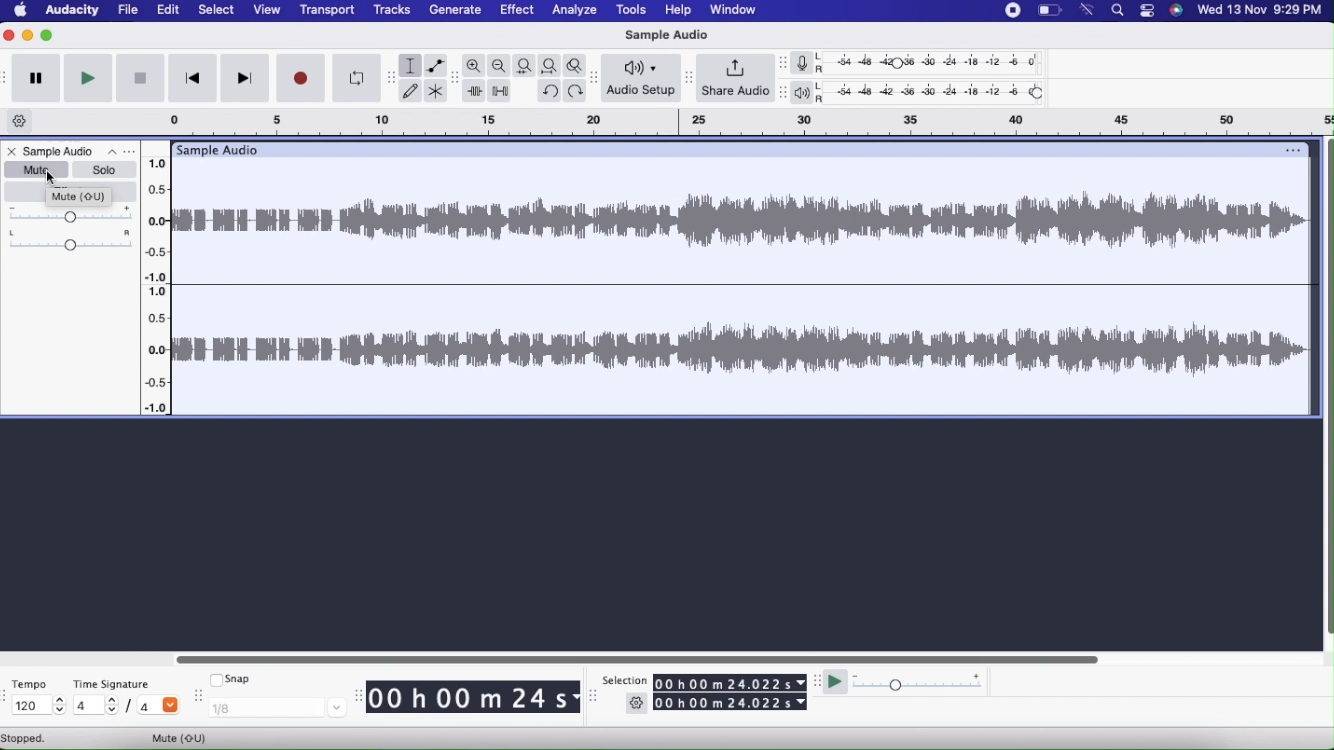 Image resolution: width=1334 pixels, height=750 pixels. I want to click on 00 h 00 m 24.022s, so click(729, 683).